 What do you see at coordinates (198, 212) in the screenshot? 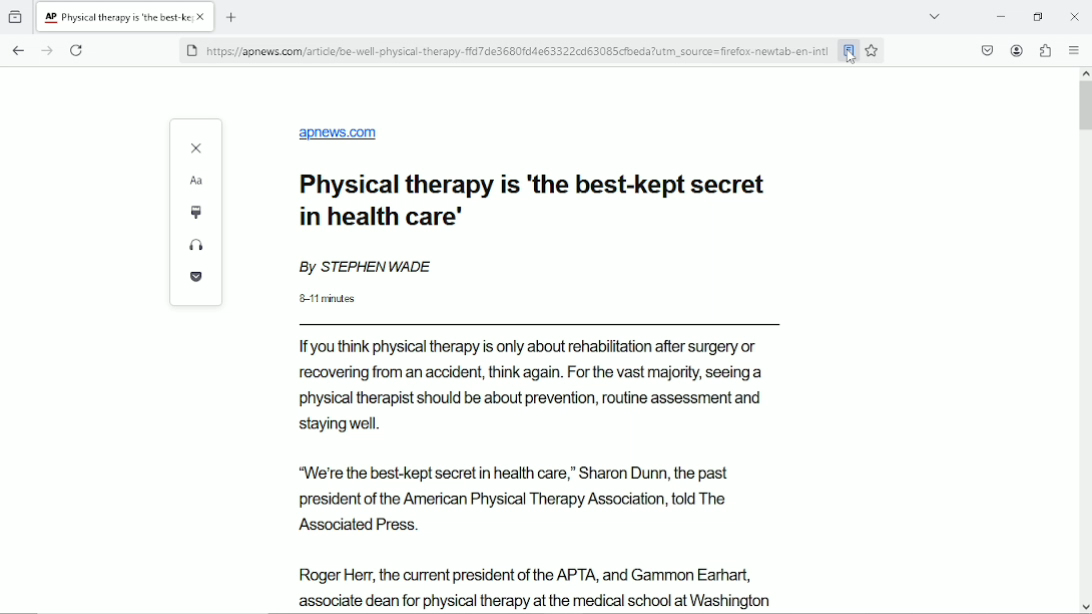
I see `theme` at bounding box center [198, 212].